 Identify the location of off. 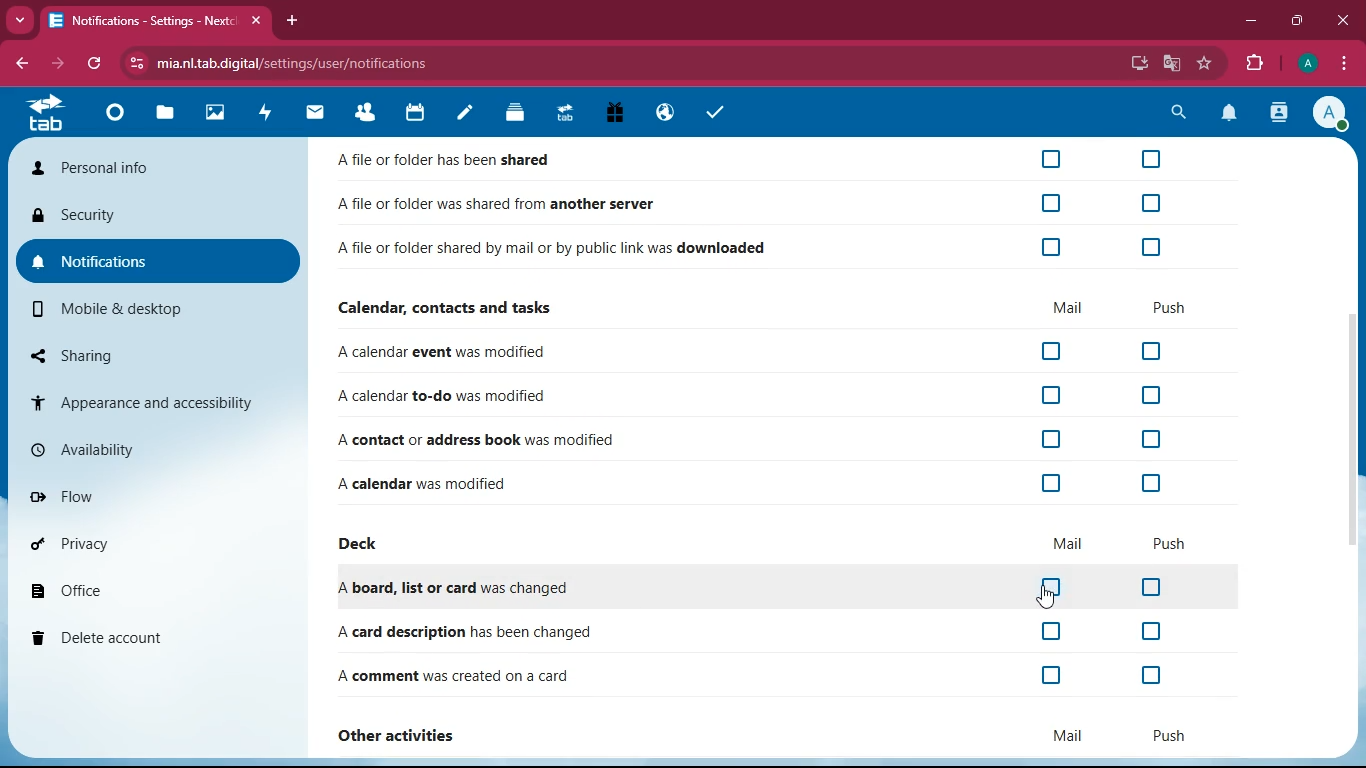
(1051, 436).